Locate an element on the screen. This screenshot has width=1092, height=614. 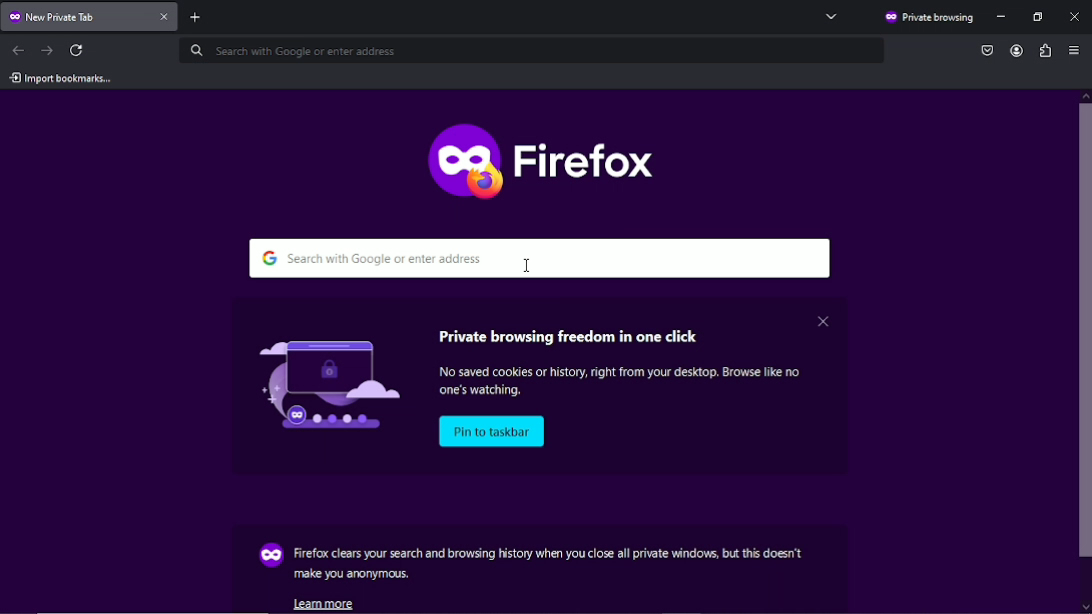
add tab is located at coordinates (204, 16).